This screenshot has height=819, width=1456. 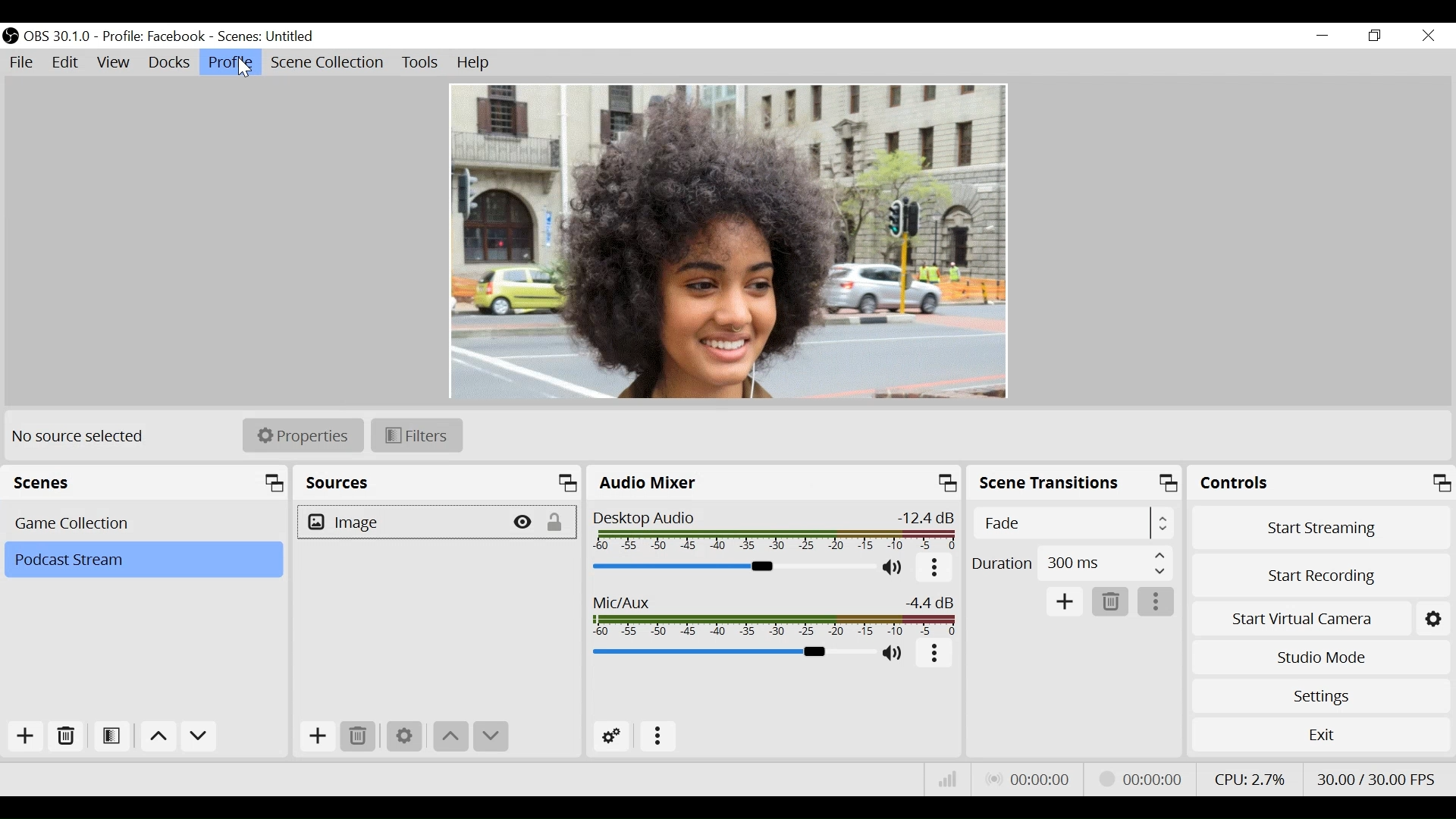 I want to click on OBS Version, so click(x=58, y=37).